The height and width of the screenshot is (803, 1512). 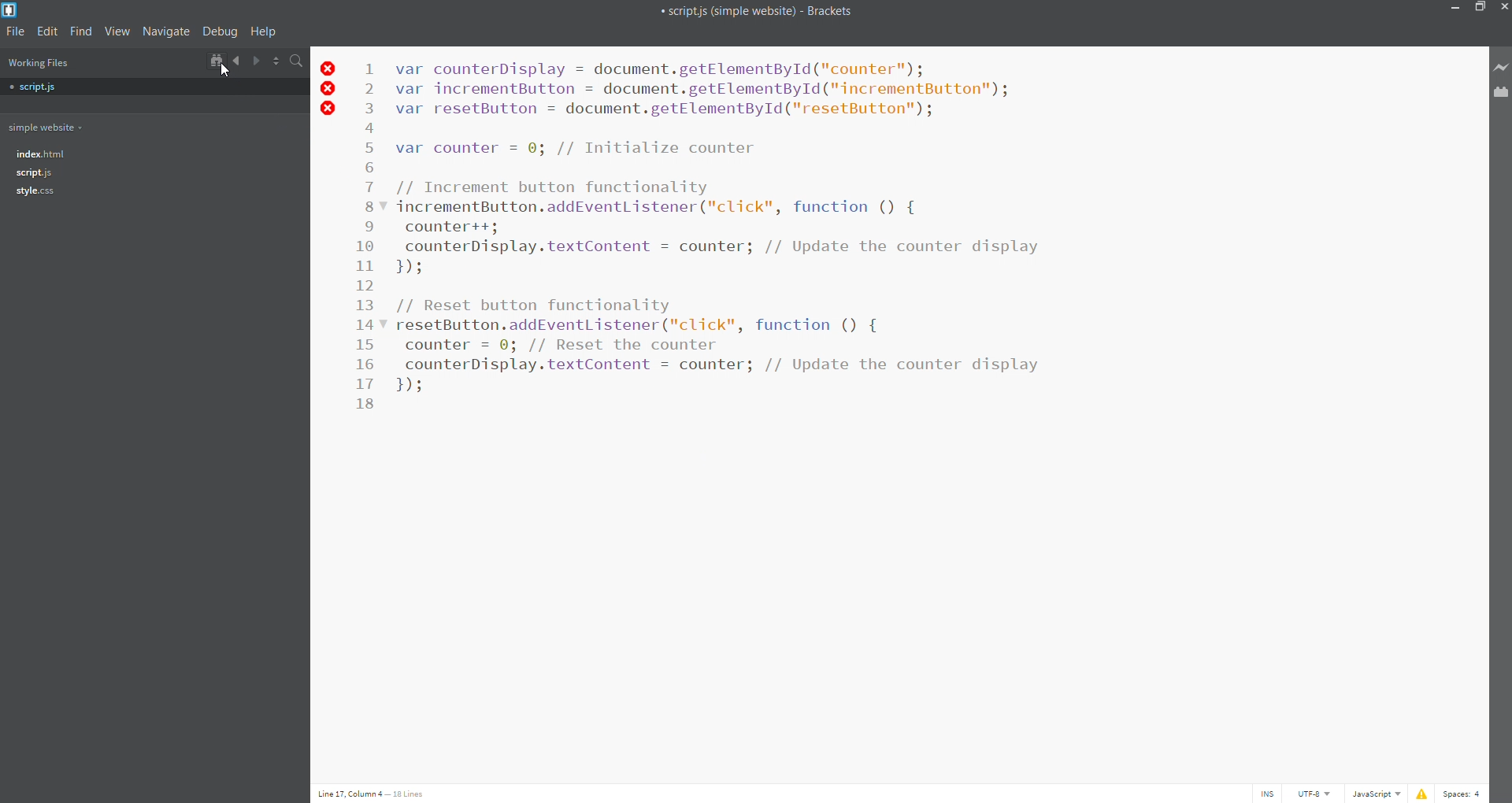 What do you see at coordinates (45, 126) in the screenshot?
I see `working folder` at bounding box center [45, 126].